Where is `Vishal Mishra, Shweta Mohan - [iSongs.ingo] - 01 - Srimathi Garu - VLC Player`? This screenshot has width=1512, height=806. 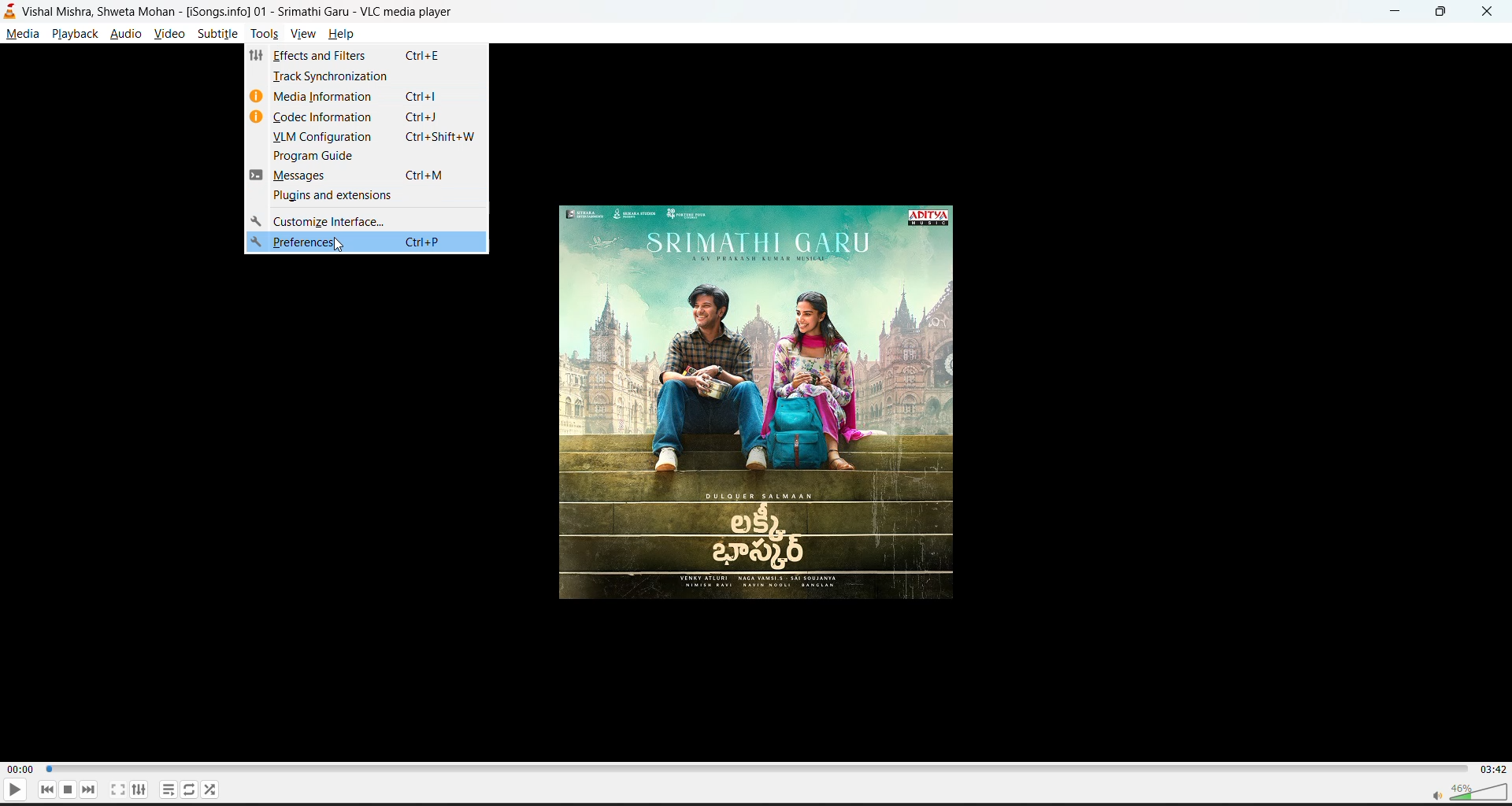 Vishal Mishra, Shweta Mohan - [iSongs.ingo] - 01 - Srimathi Garu - VLC Player is located at coordinates (241, 11).